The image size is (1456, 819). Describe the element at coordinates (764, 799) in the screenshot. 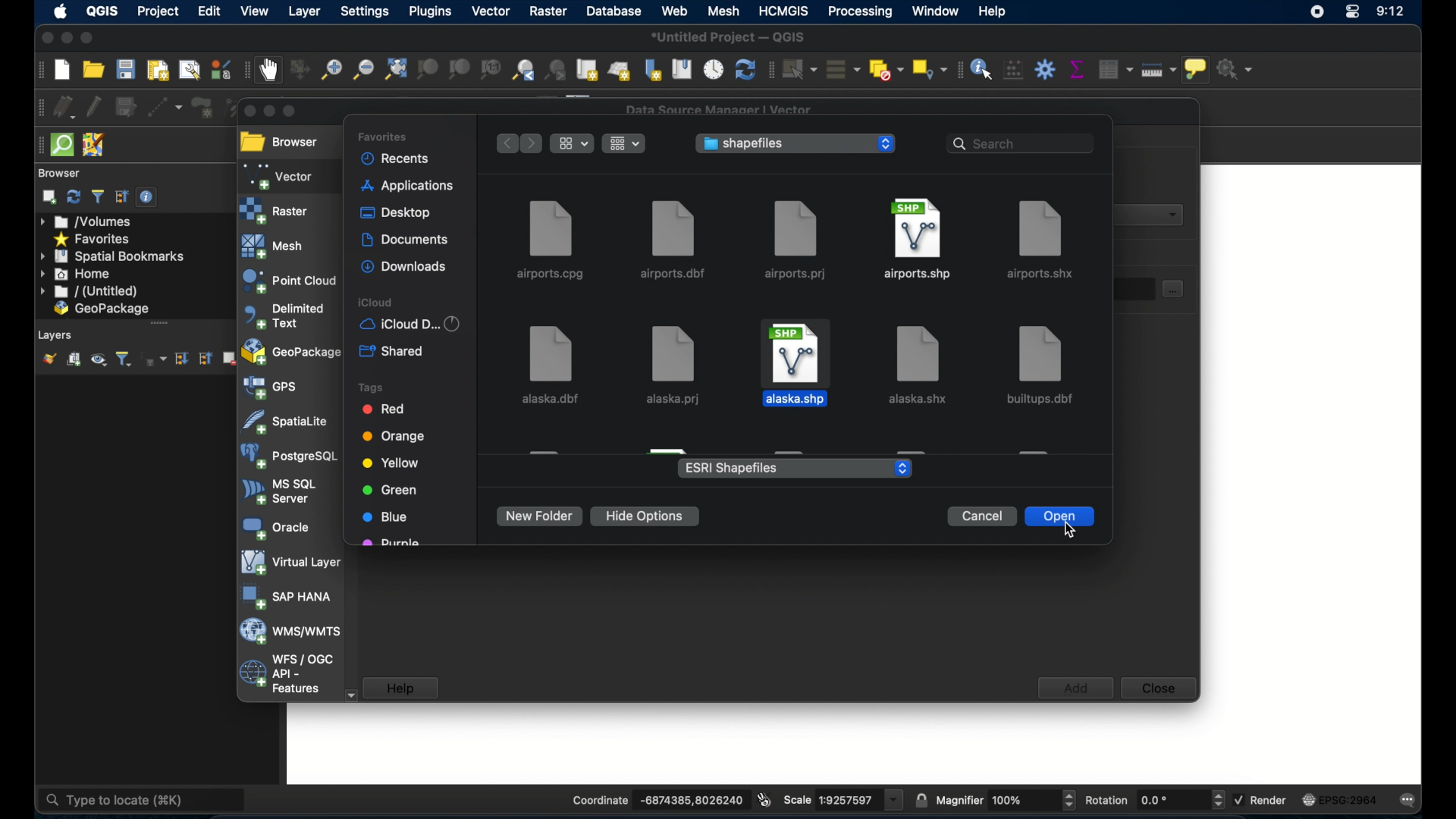

I see `toggle extents and mouse display position` at that location.